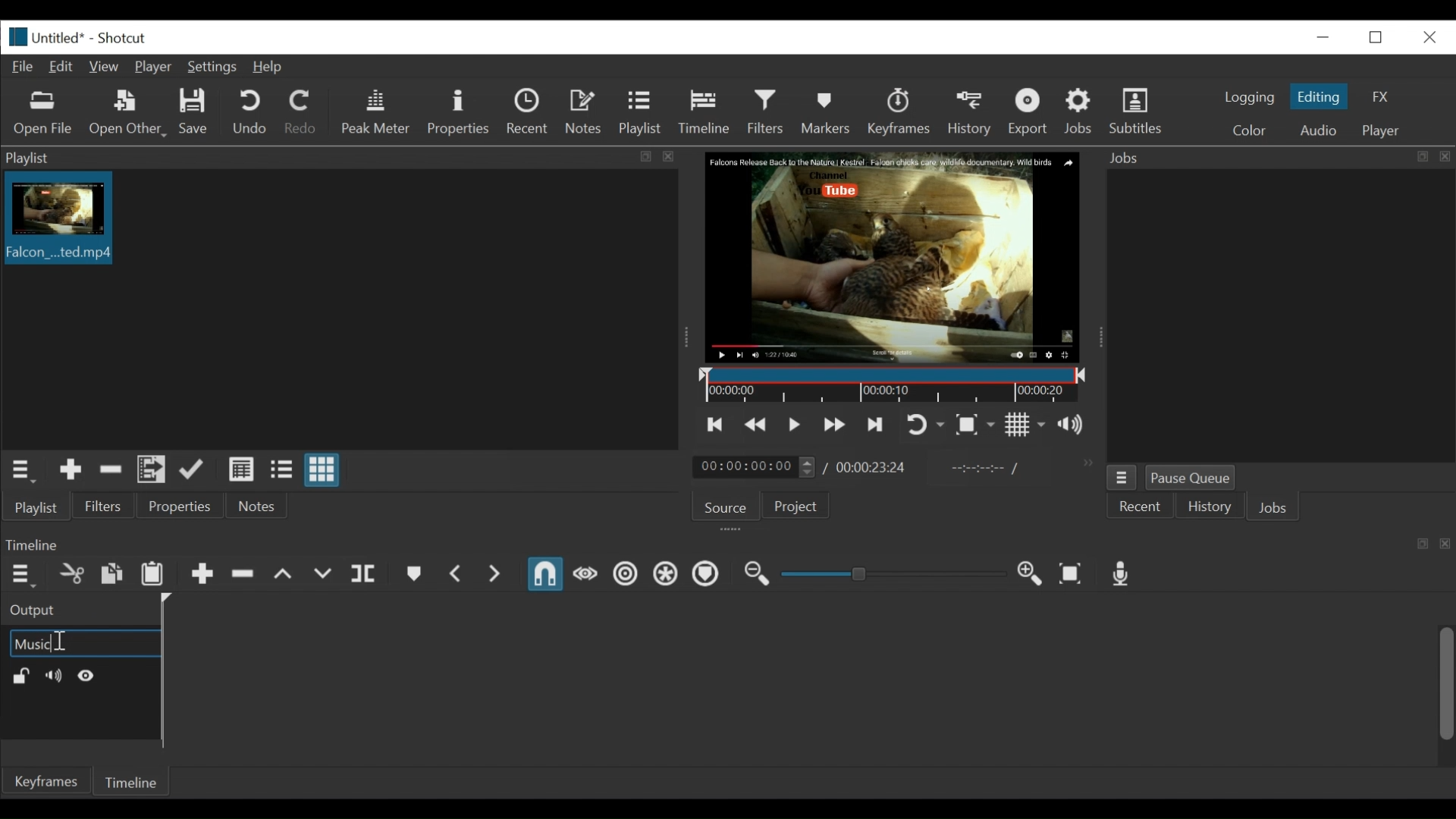 This screenshot has height=819, width=1456. What do you see at coordinates (153, 576) in the screenshot?
I see `Paste` at bounding box center [153, 576].